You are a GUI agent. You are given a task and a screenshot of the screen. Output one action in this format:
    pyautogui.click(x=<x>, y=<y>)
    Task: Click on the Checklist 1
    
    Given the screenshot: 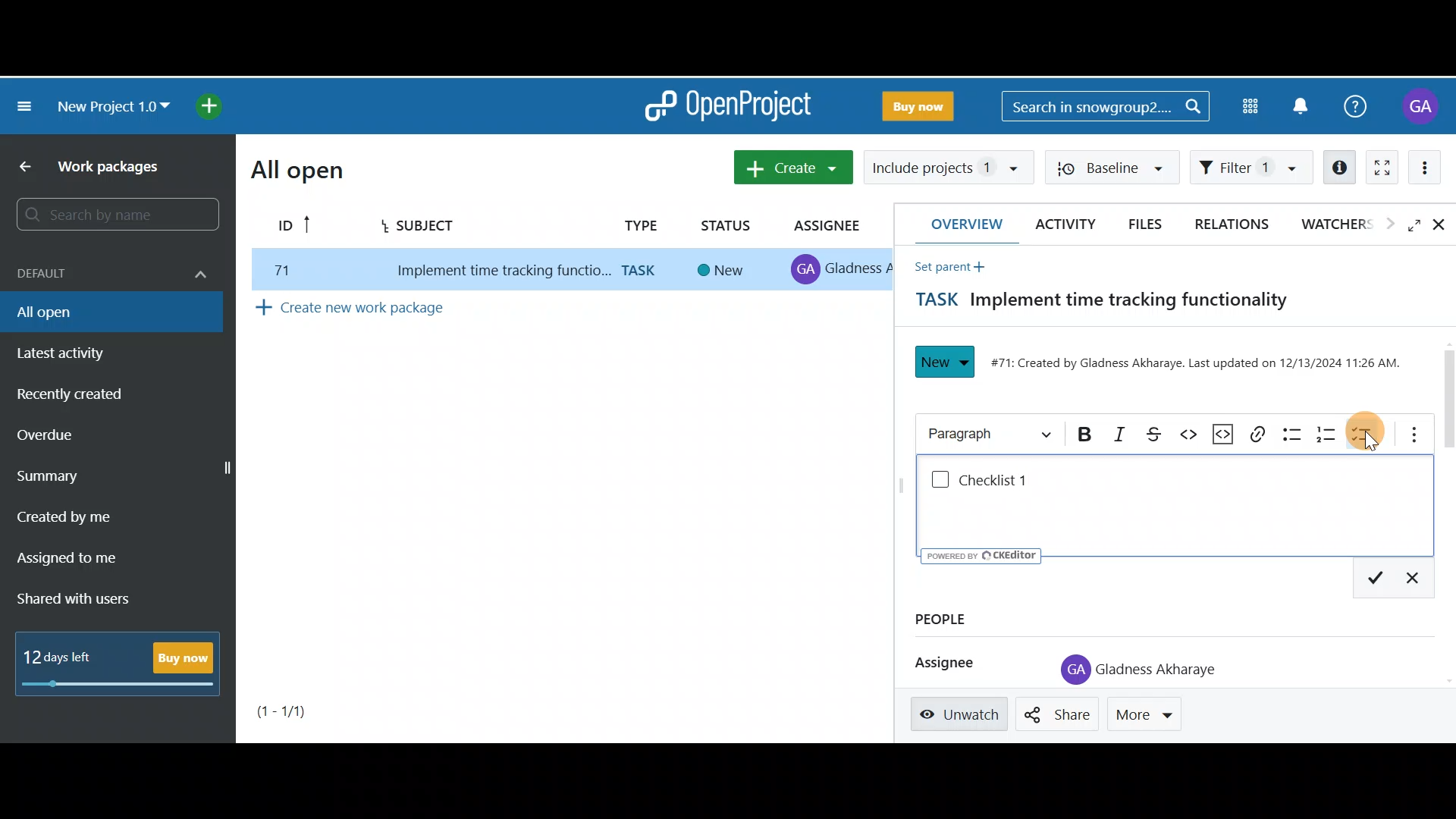 What is the action you would take?
    pyautogui.click(x=1003, y=480)
    